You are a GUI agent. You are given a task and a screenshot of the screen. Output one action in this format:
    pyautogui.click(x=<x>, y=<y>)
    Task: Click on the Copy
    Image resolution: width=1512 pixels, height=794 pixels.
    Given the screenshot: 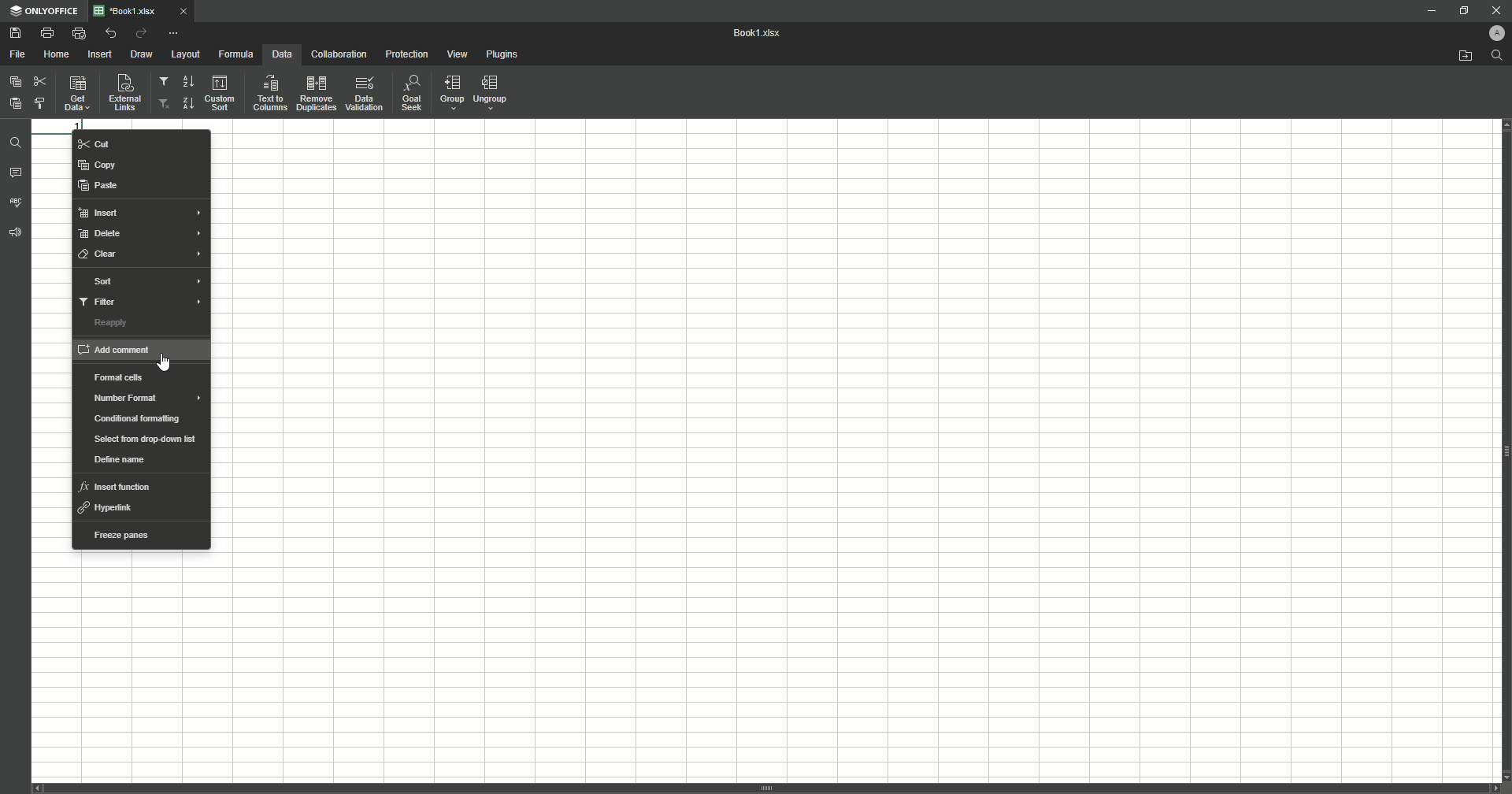 What is the action you would take?
    pyautogui.click(x=96, y=165)
    